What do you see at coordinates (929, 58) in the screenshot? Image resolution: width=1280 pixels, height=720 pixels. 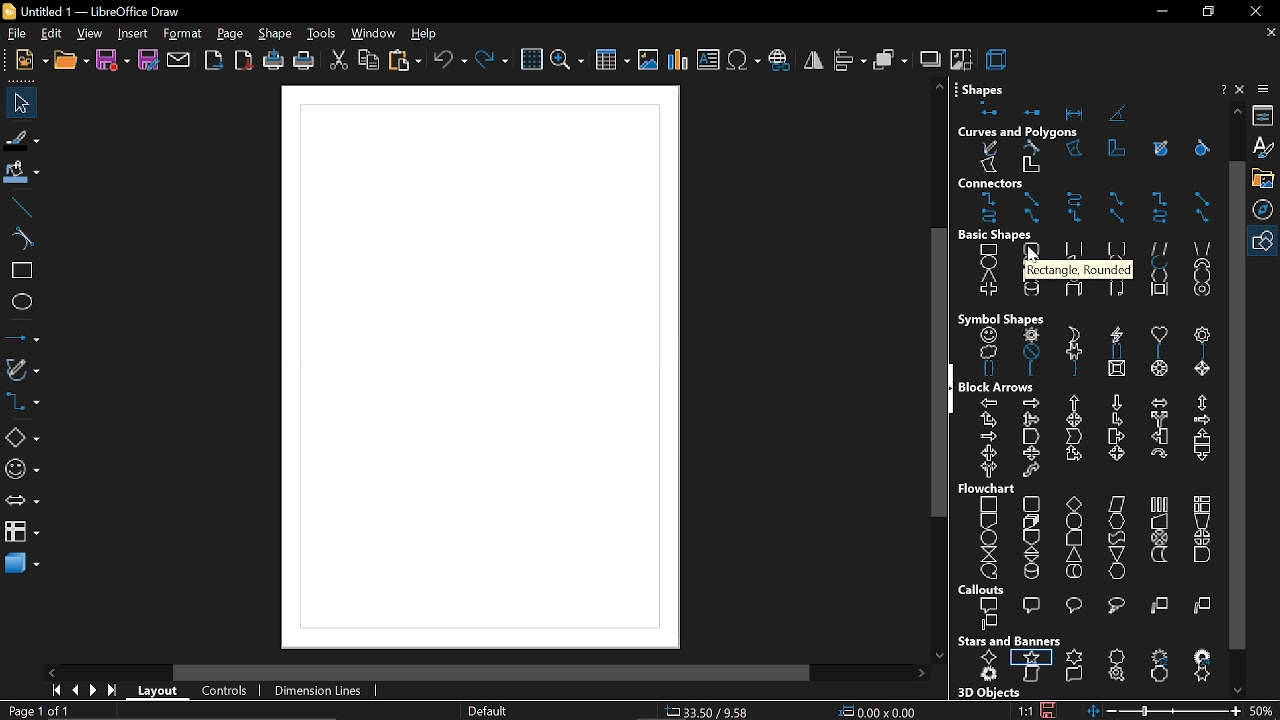 I see `shadow` at bounding box center [929, 58].